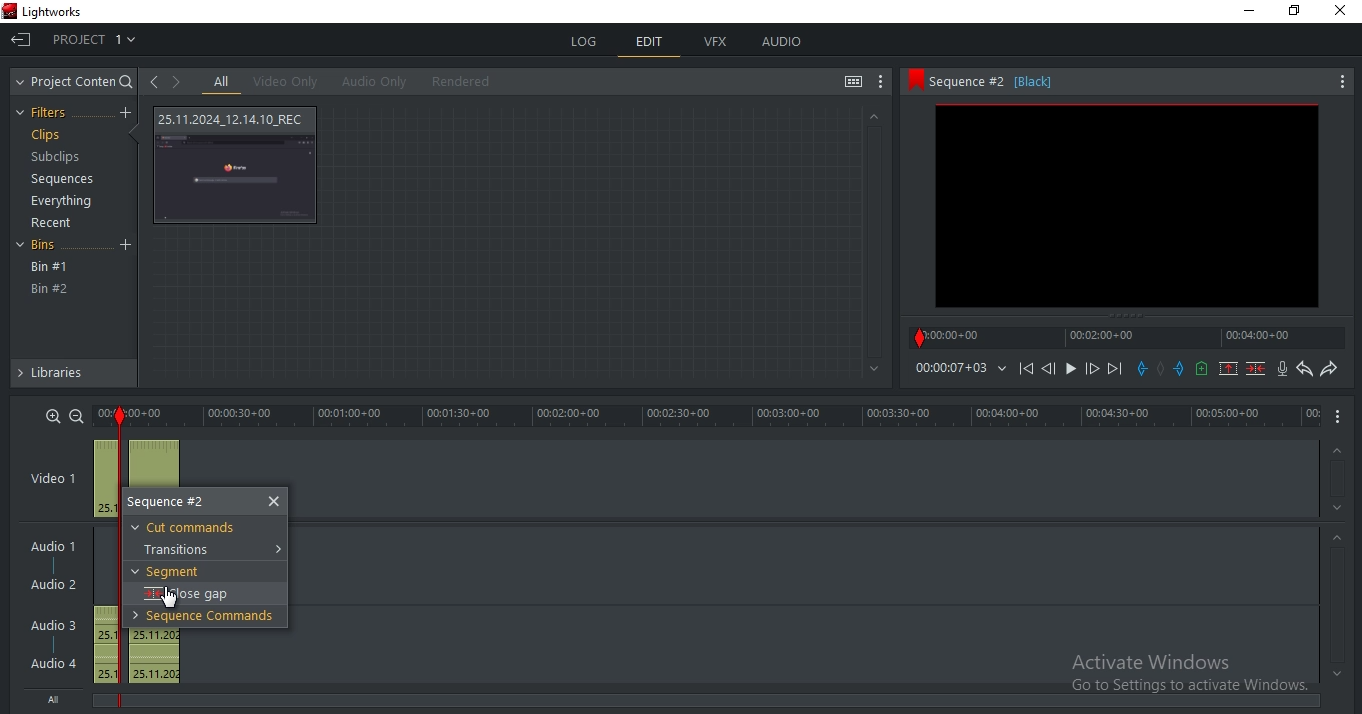  I want to click on Add mark, so click(1161, 369).